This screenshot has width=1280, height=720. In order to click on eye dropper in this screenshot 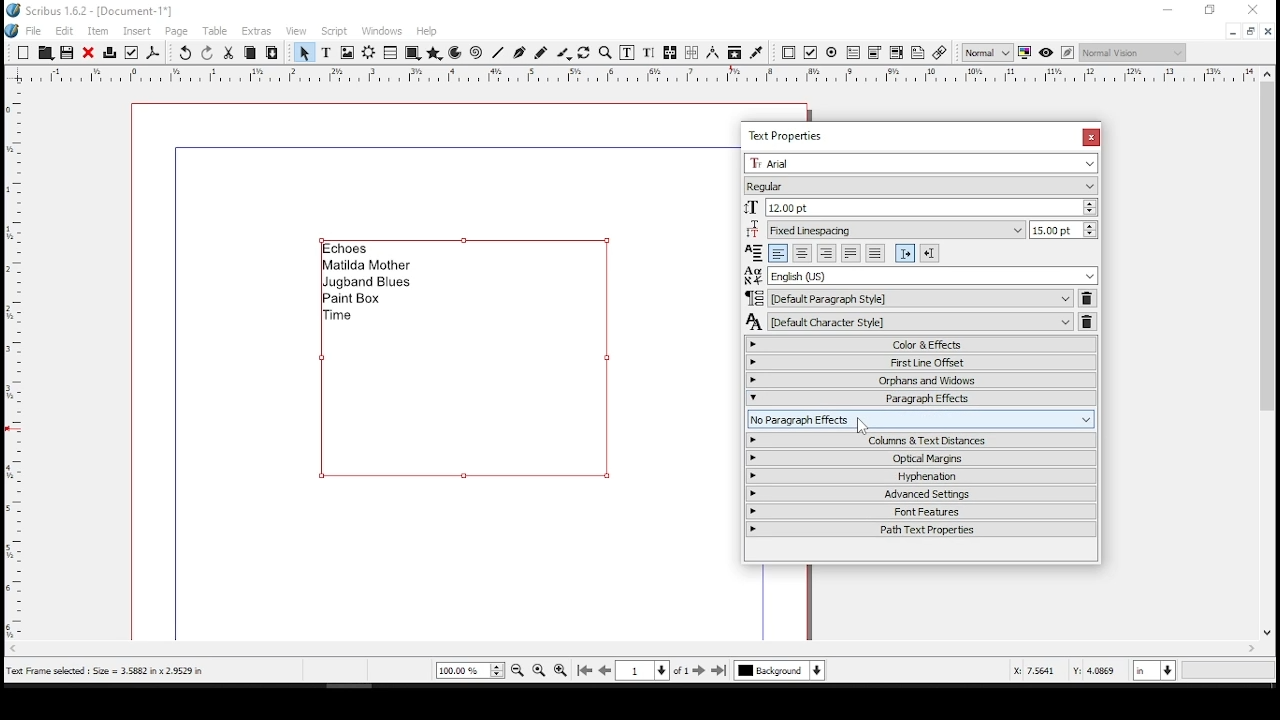, I will do `click(756, 52)`.